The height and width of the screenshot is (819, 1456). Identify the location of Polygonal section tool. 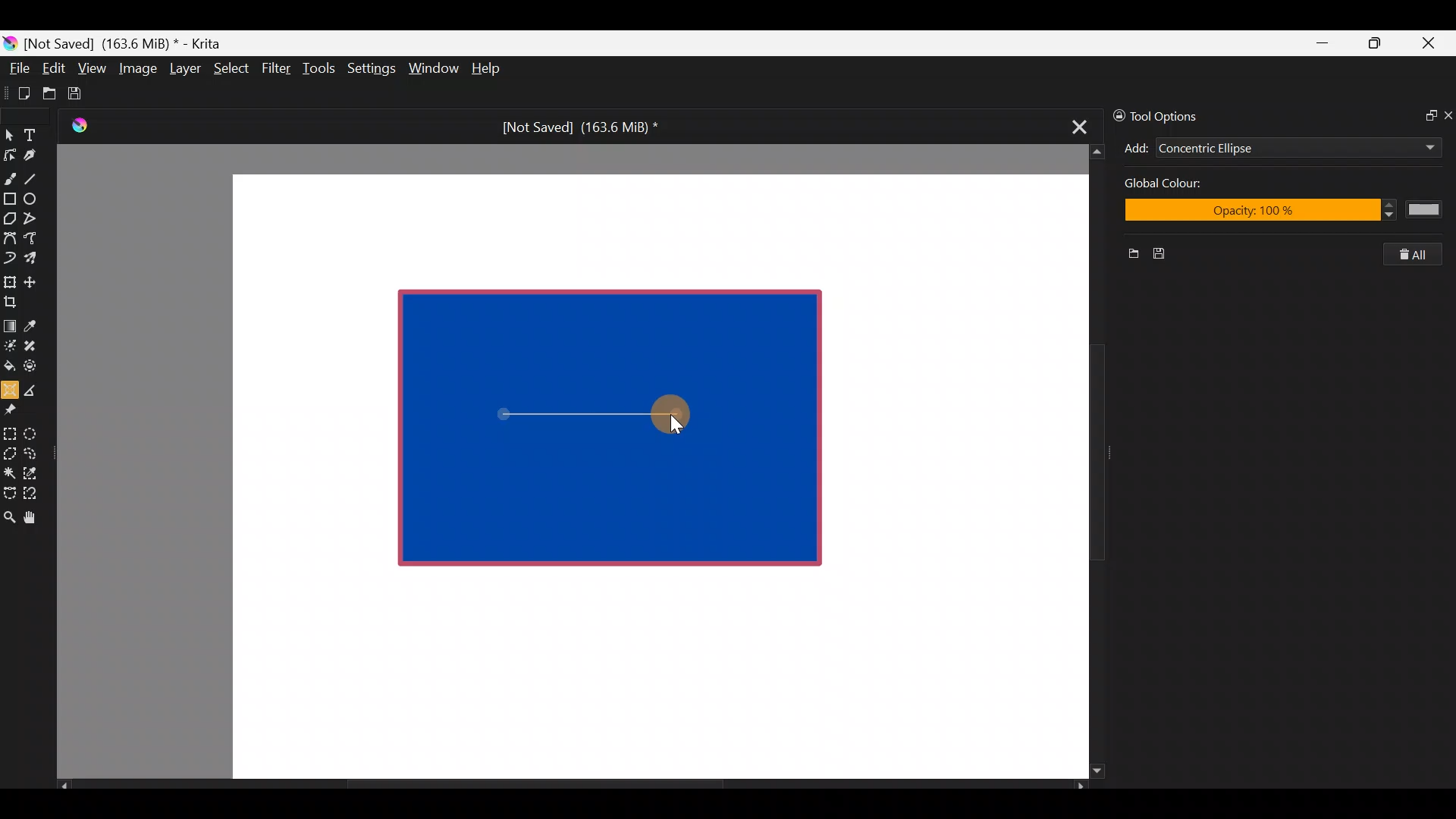
(9, 450).